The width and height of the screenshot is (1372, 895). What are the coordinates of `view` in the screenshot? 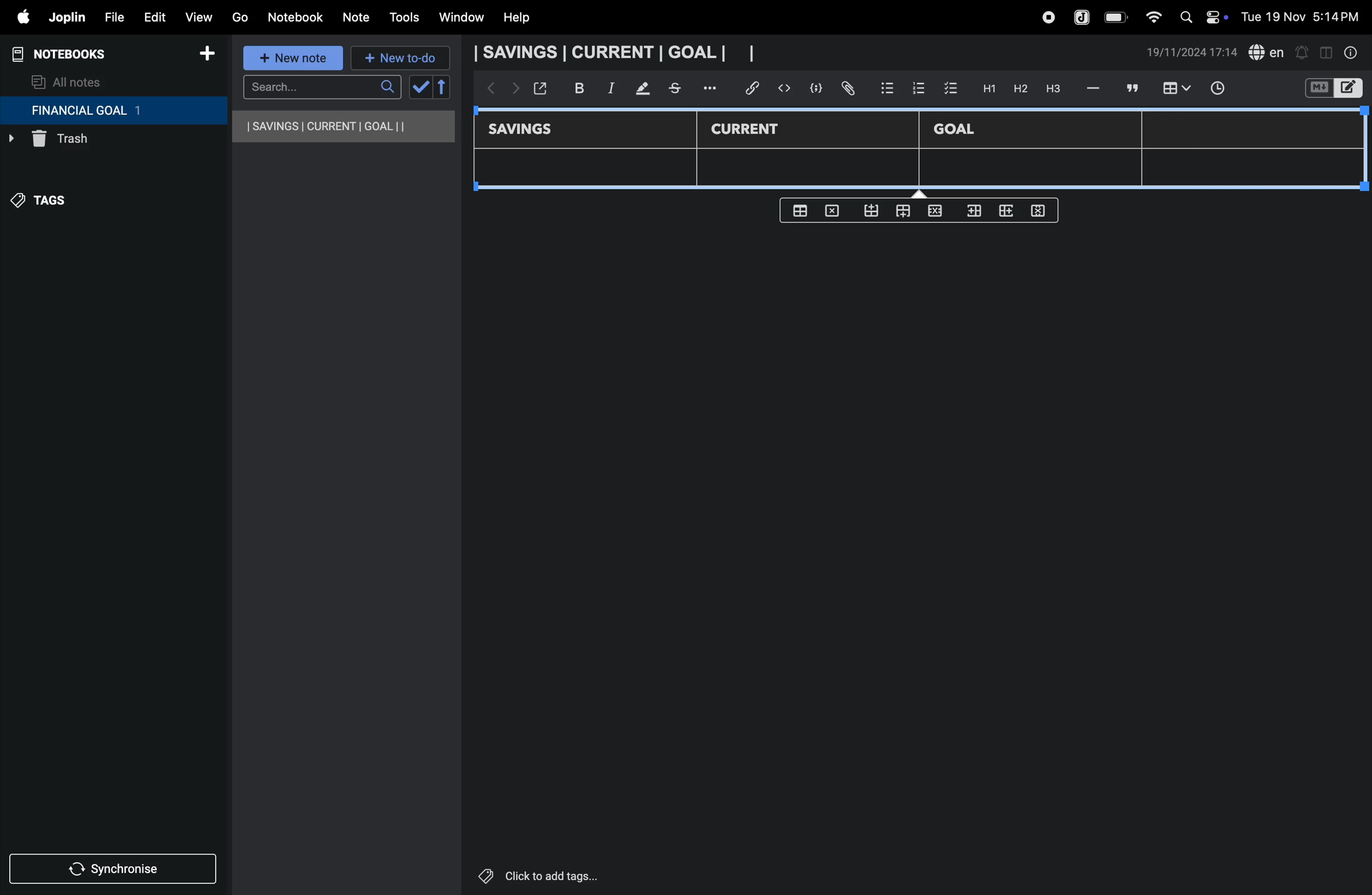 It's located at (198, 14).